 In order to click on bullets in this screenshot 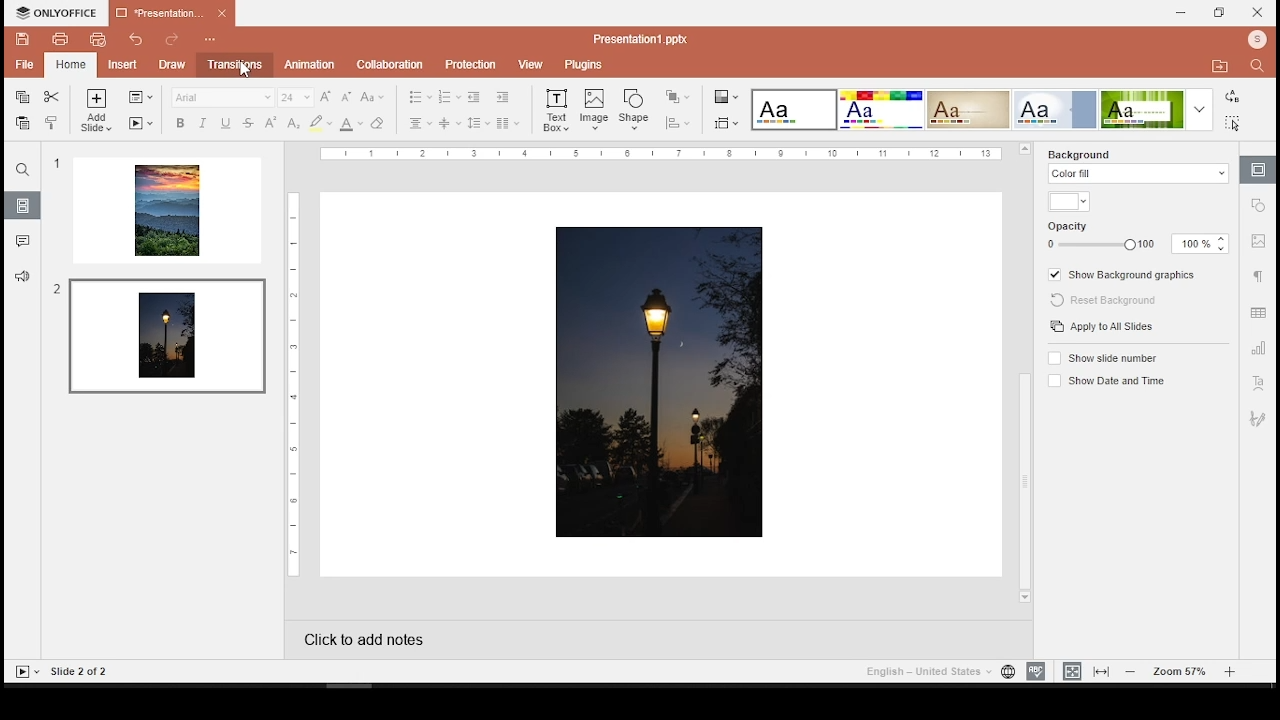, I will do `click(421, 98)`.